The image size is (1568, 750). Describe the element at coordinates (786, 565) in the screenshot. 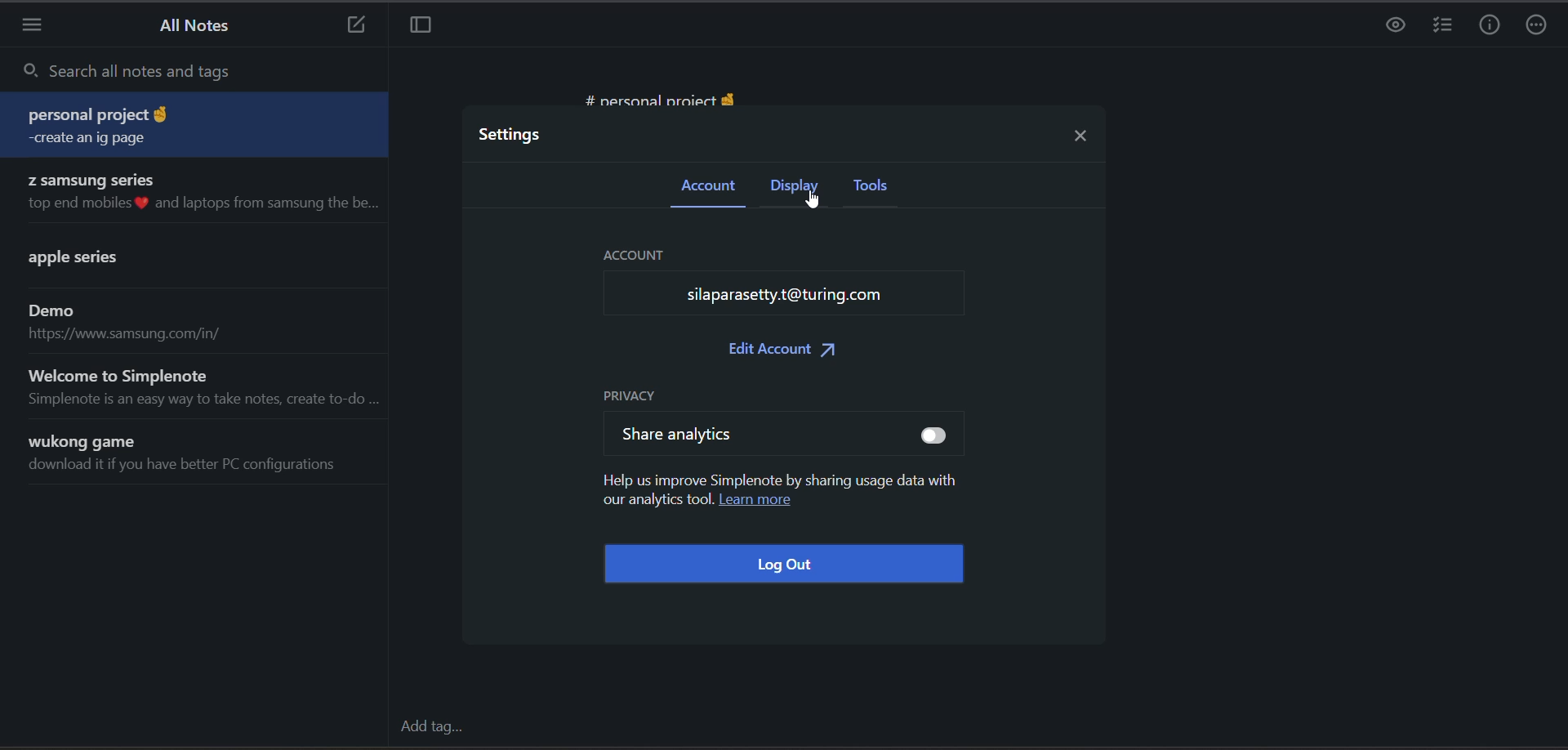

I see `log out` at that location.